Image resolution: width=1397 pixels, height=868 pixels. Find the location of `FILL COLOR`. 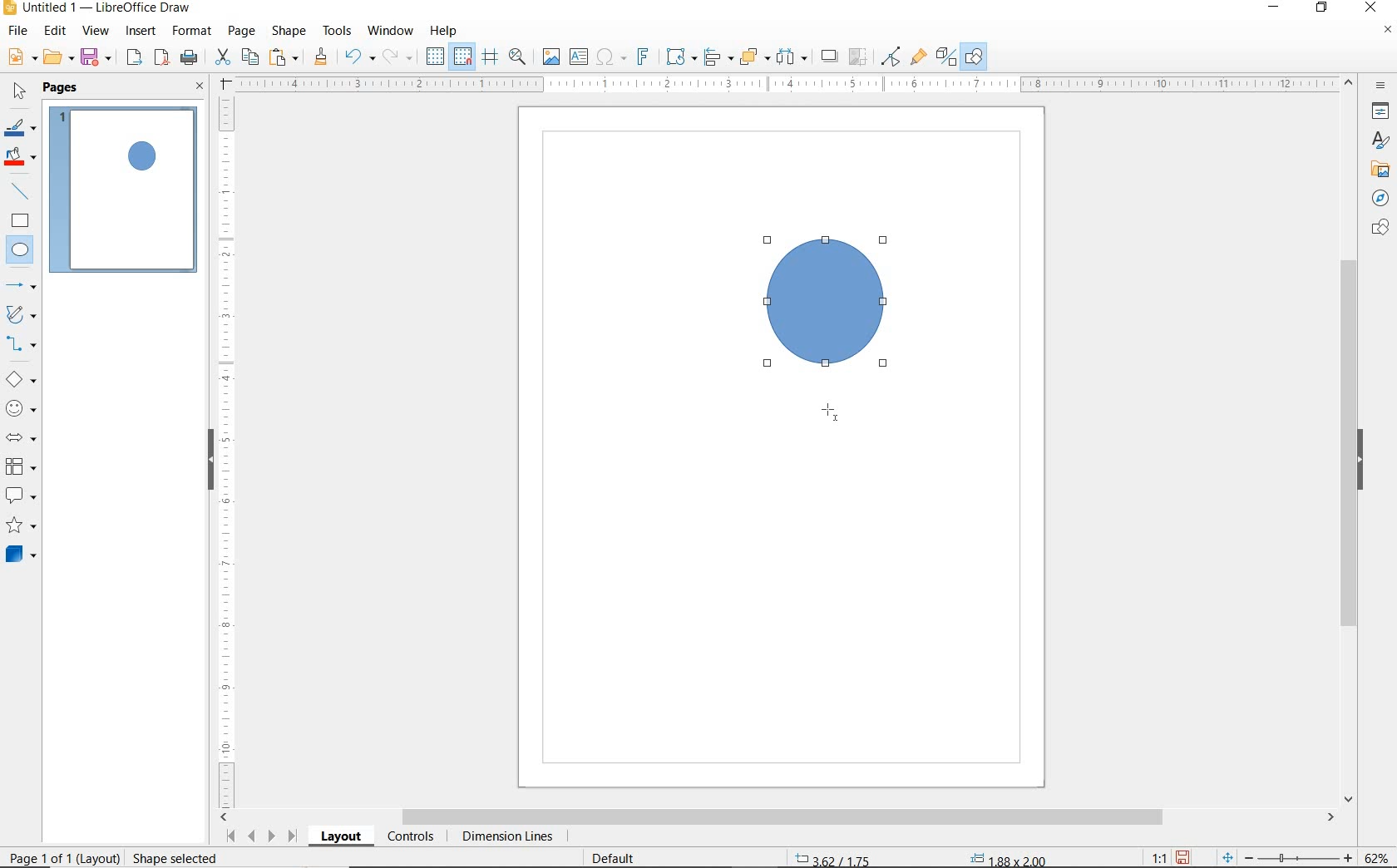

FILL COLOR is located at coordinates (22, 158).